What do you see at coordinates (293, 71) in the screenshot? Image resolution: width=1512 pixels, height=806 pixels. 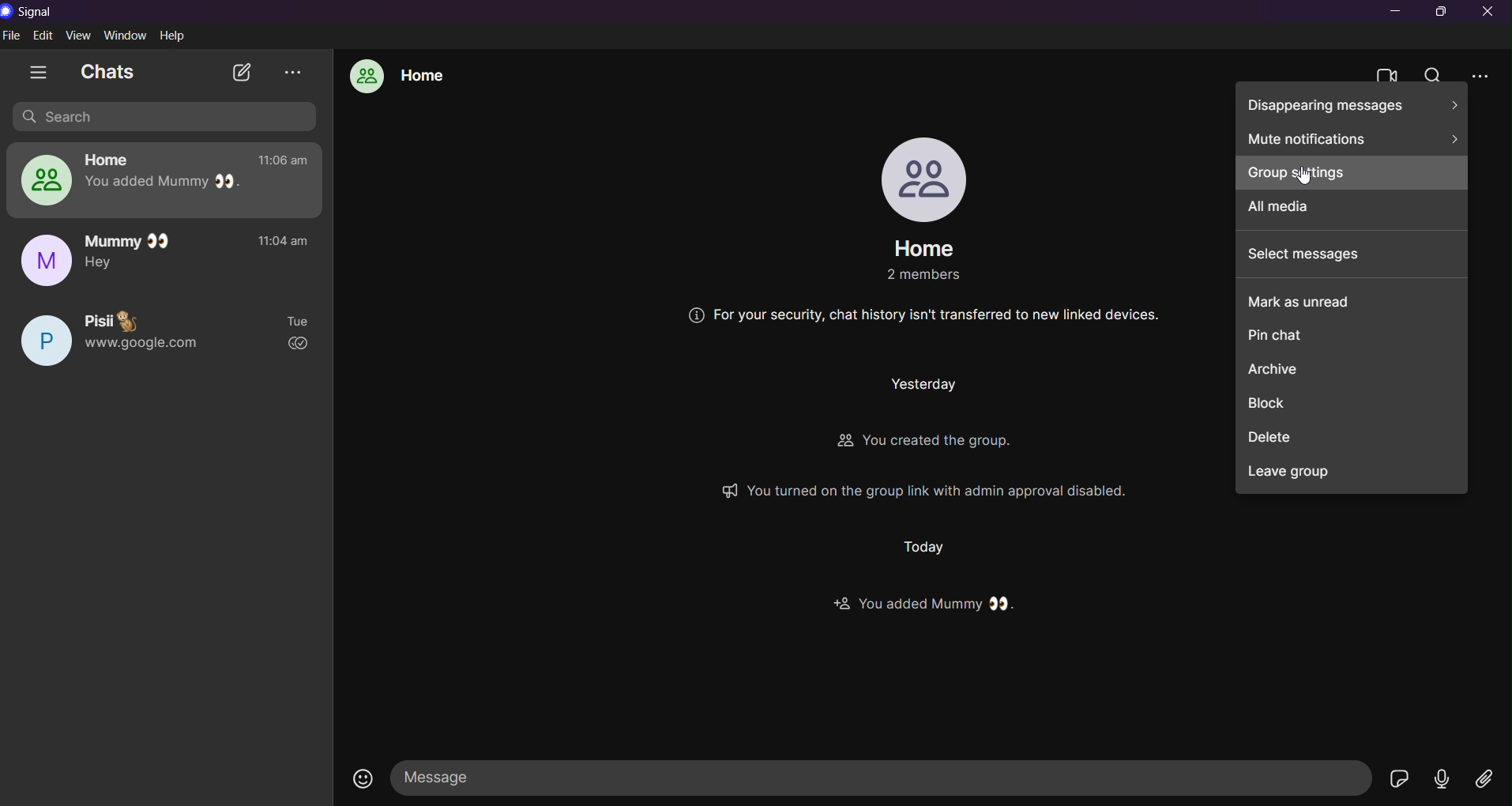 I see `view archieve` at bounding box center [293, 71].